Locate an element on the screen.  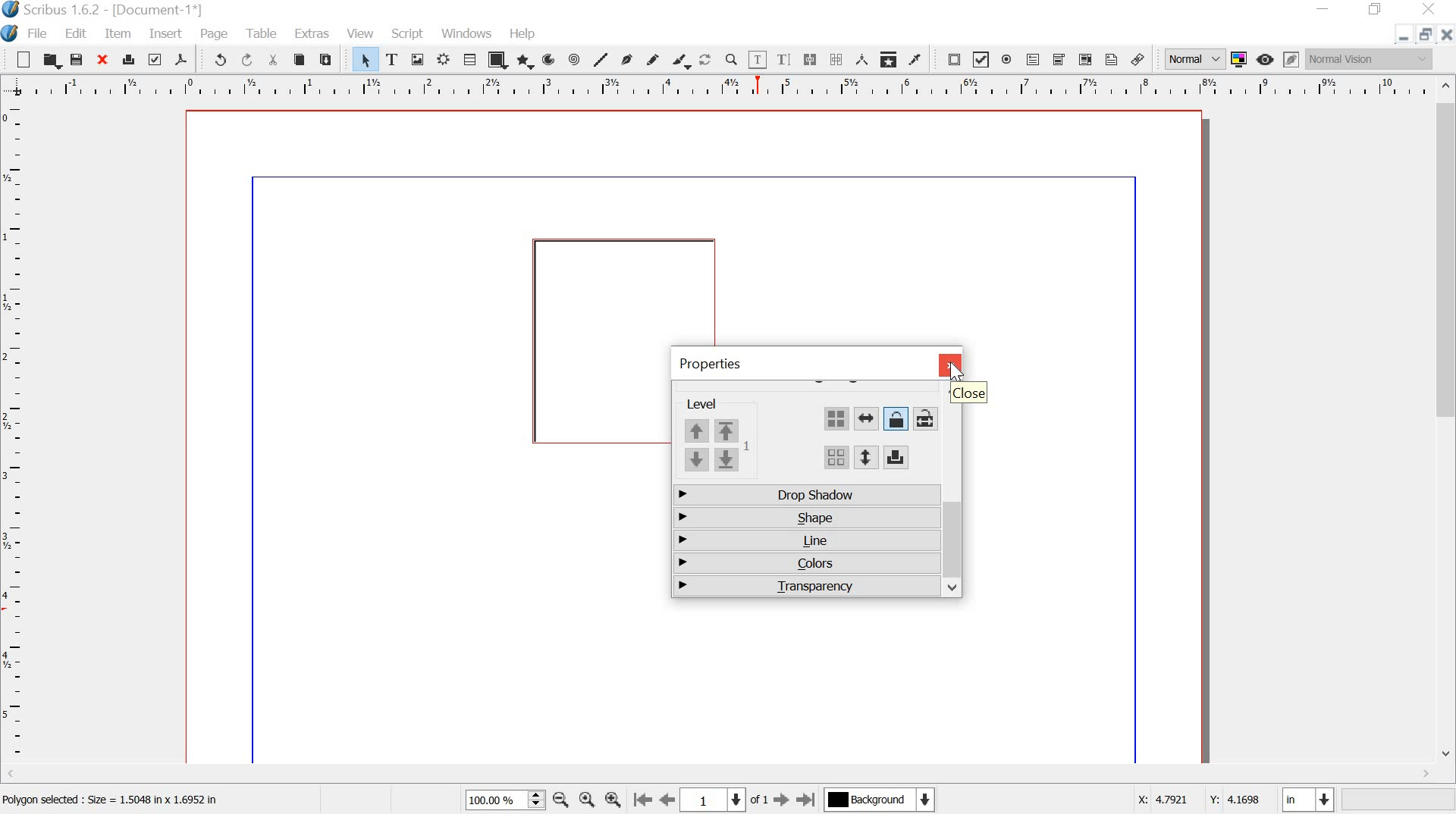
pdf check box is located at coordinates (981, 60).